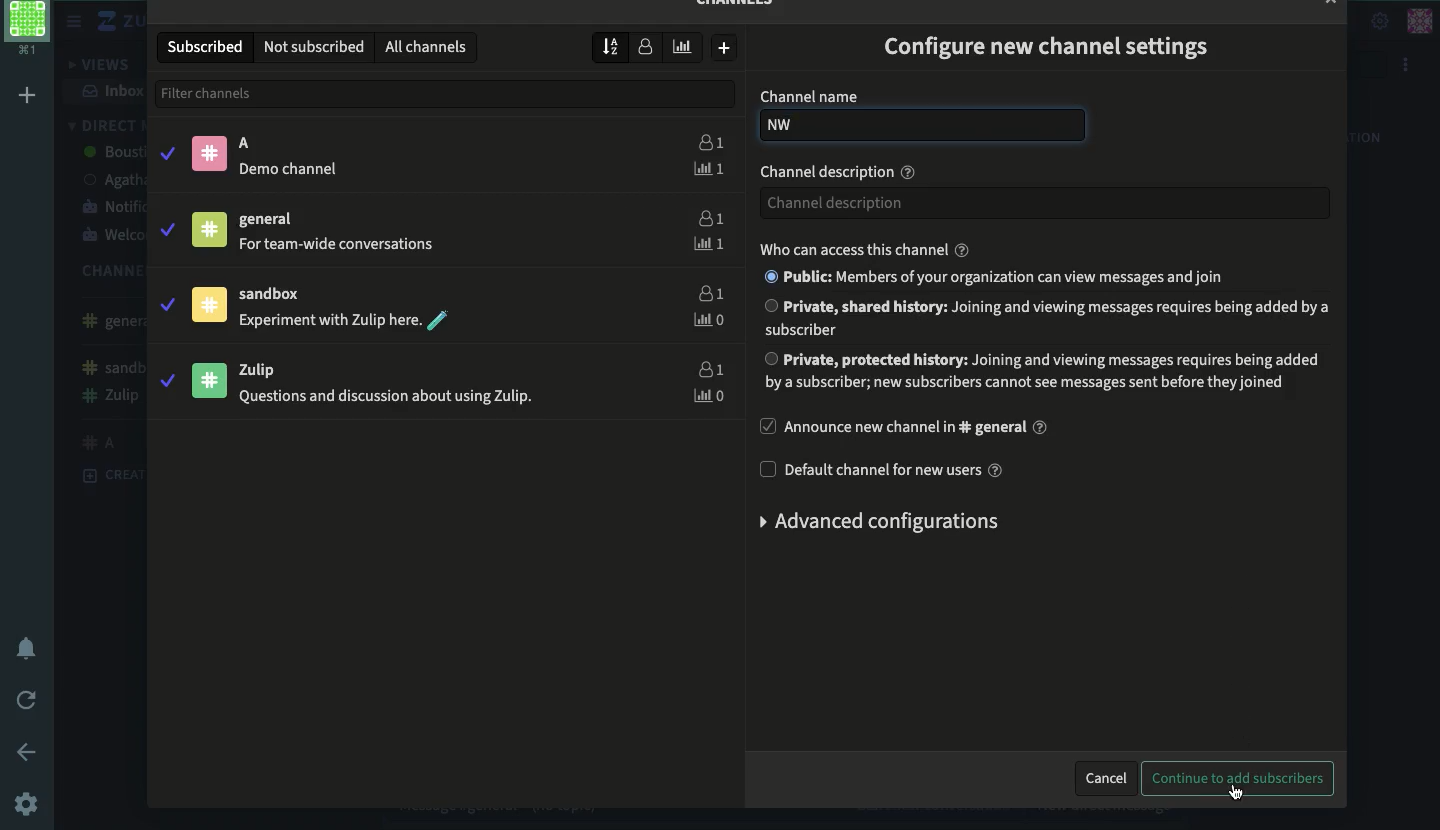 The image size is (1440, 830). What do you see at coordinates (1235, 777) in the screenshot?
I see `continue to add subscribers` at bounding box center [1235, 777].